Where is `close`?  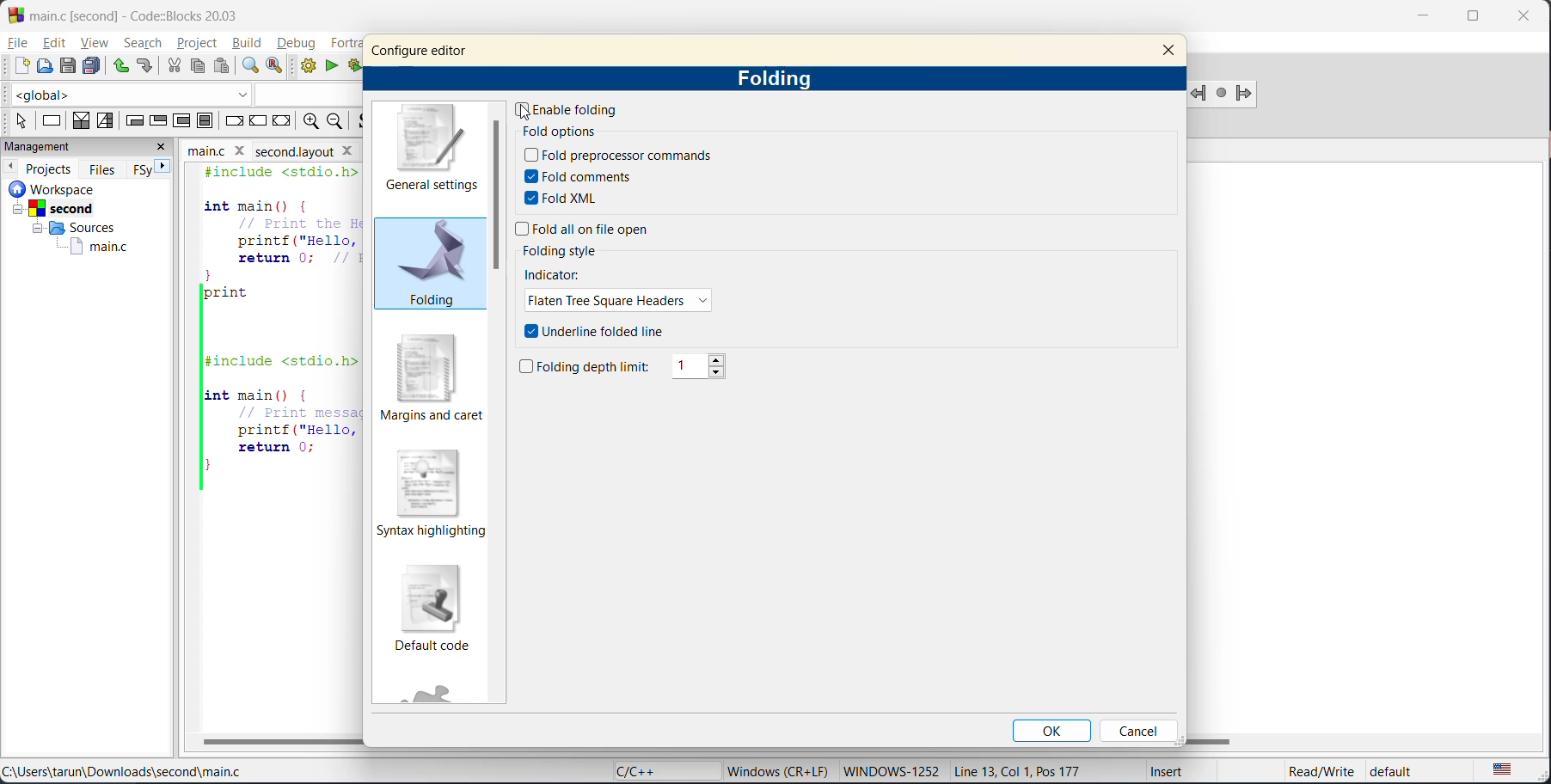
close is located at coordinates (1518, 19).